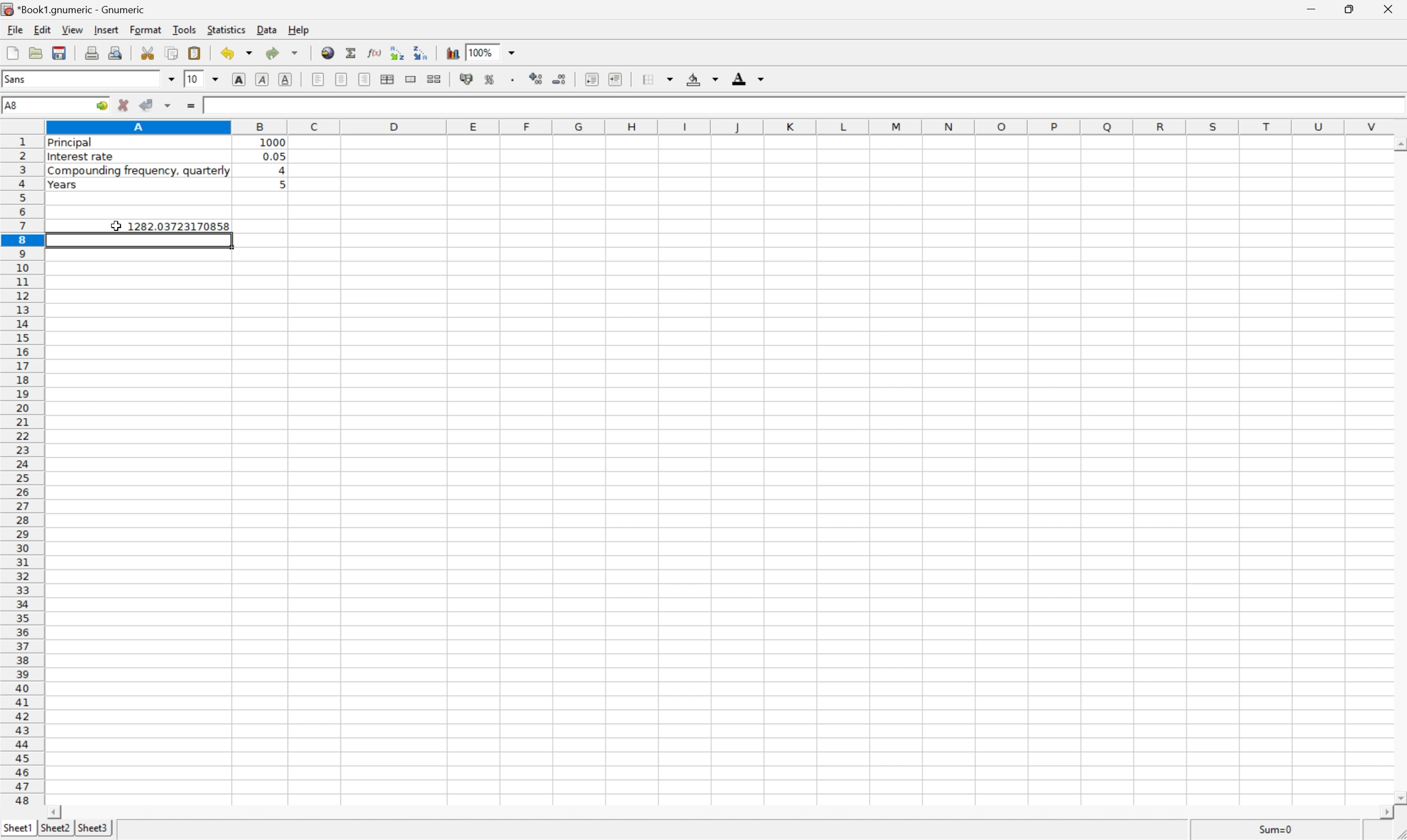 The image size is (1407, 840). I want to click on data, so click(266, 31).